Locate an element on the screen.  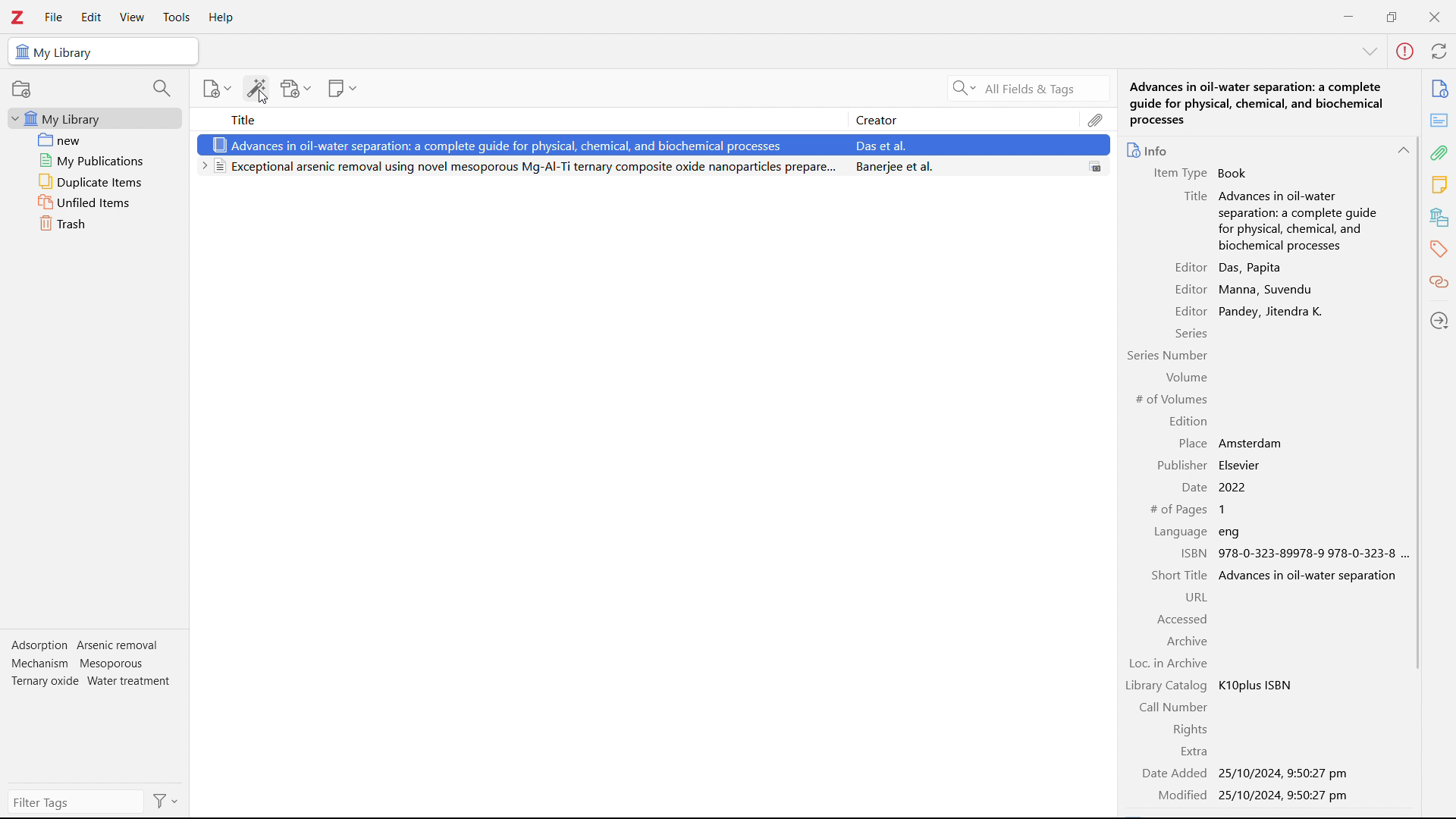
info is located at coordinates (1149, 150).